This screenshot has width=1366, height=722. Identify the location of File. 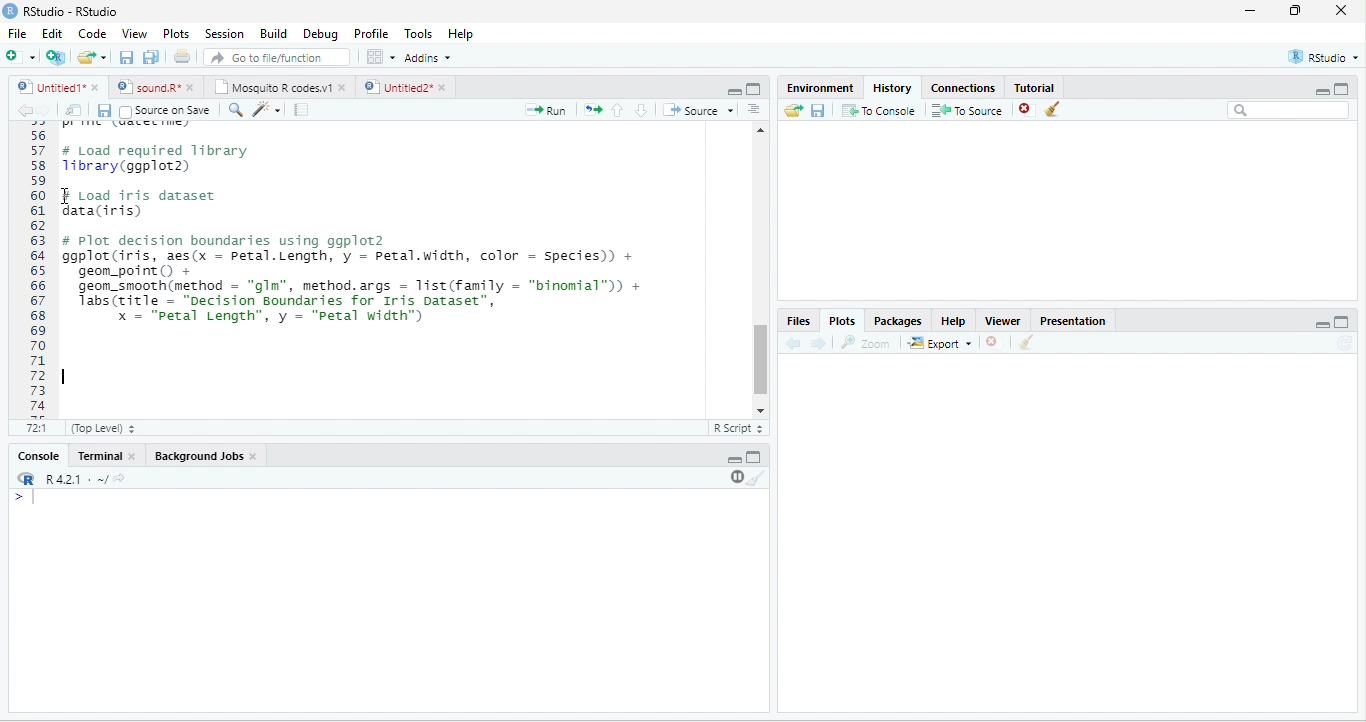
(17, 33).